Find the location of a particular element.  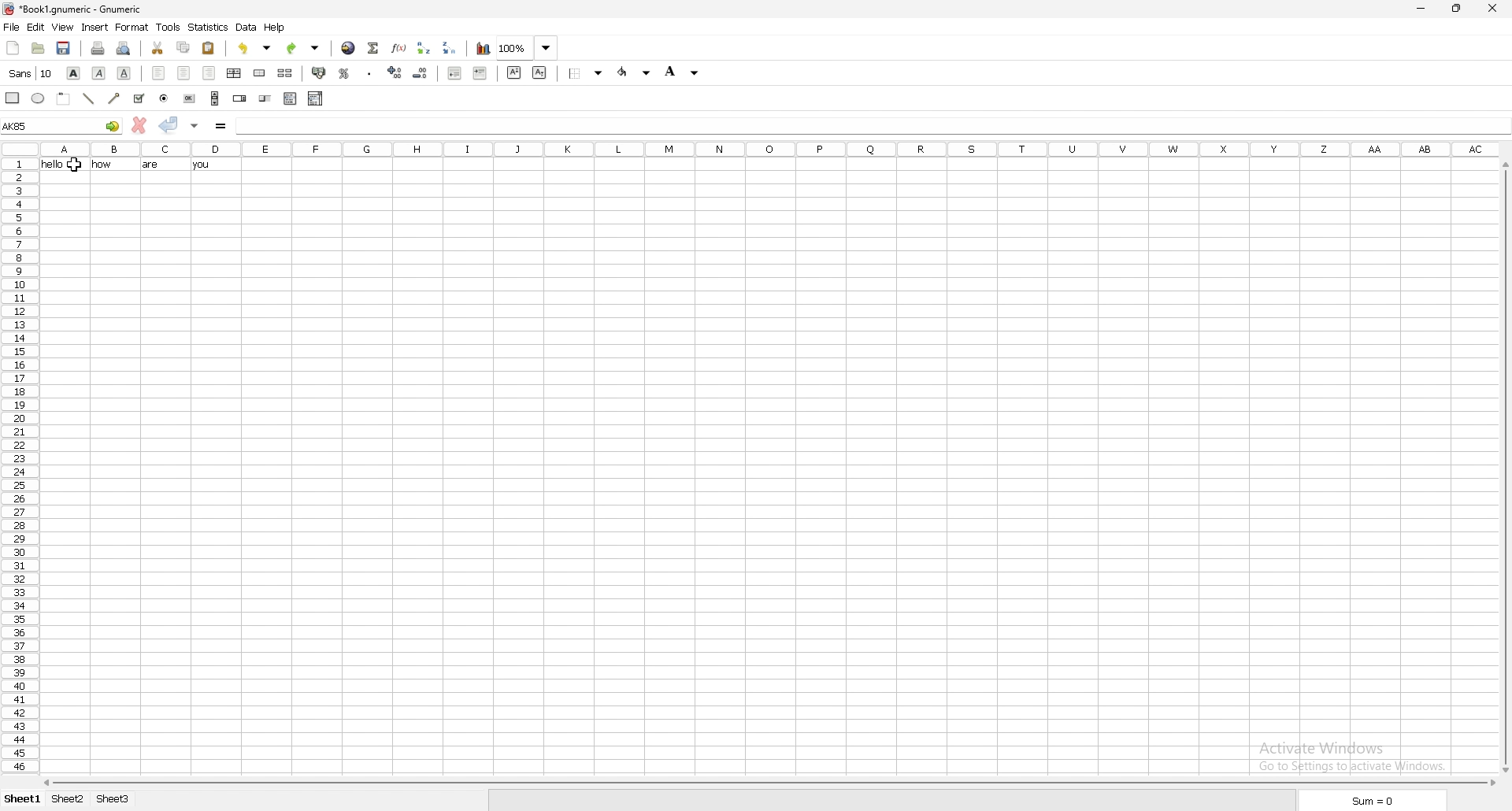

accept changes in all cells is located at coordinates (195, 125).